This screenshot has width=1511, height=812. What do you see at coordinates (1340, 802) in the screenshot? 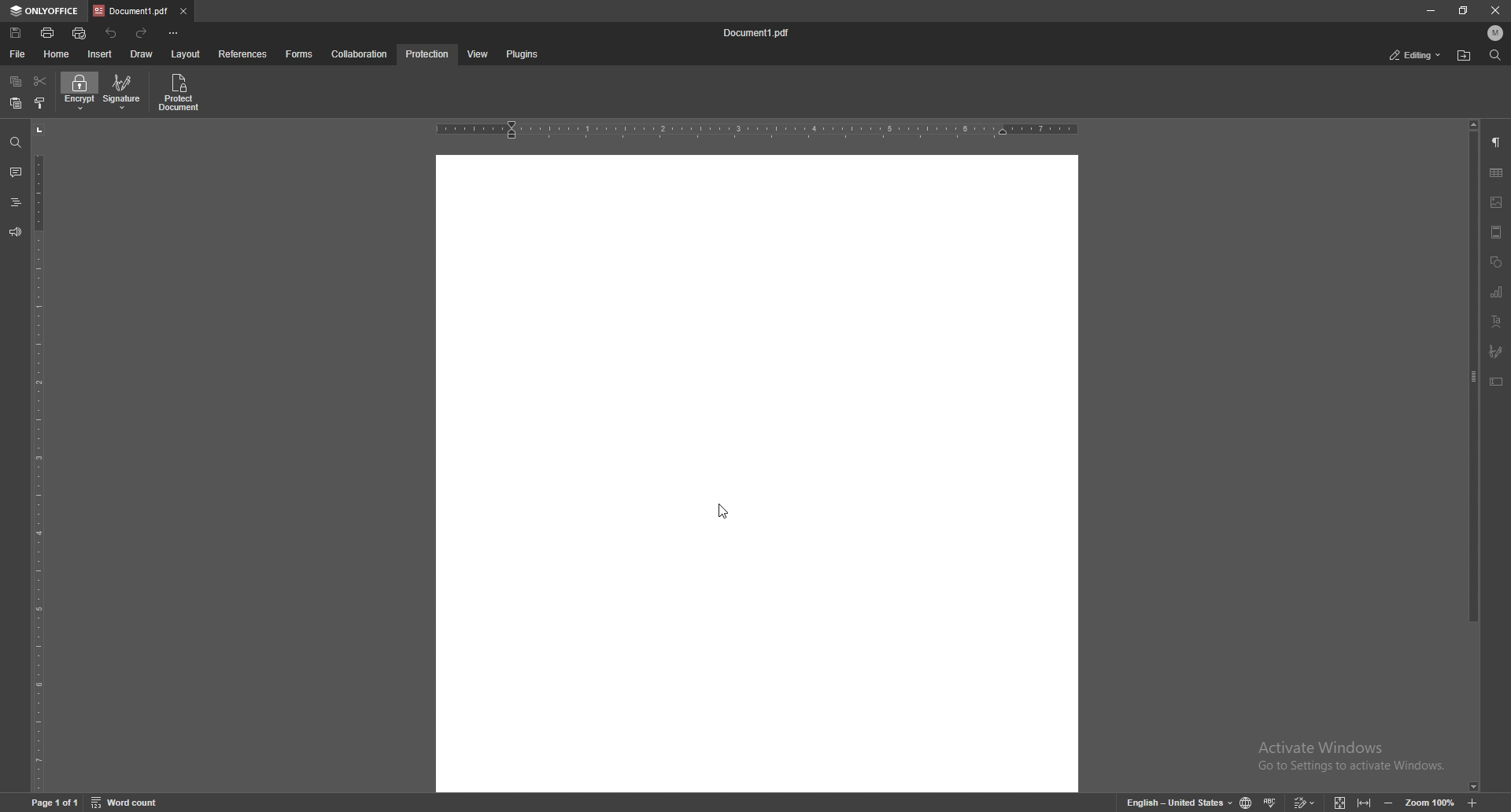
I see `fit to screen` at bounding box center [1340, 802].